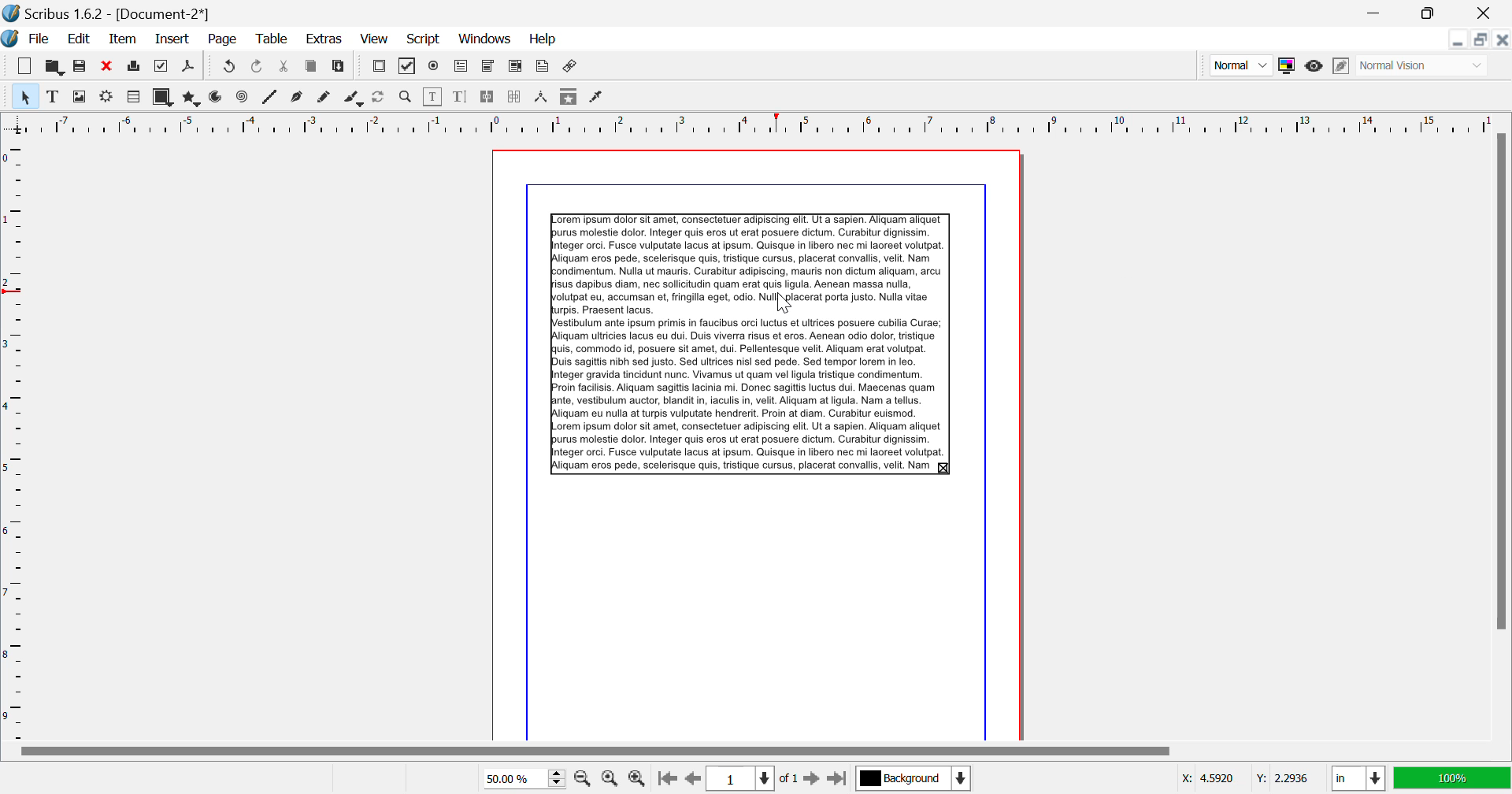 Image resolution: width=1512 pixels, height=794 pixels. Describe the element at coordinates (106, 98) in the screenshot. I see `Render Frame` at that location.